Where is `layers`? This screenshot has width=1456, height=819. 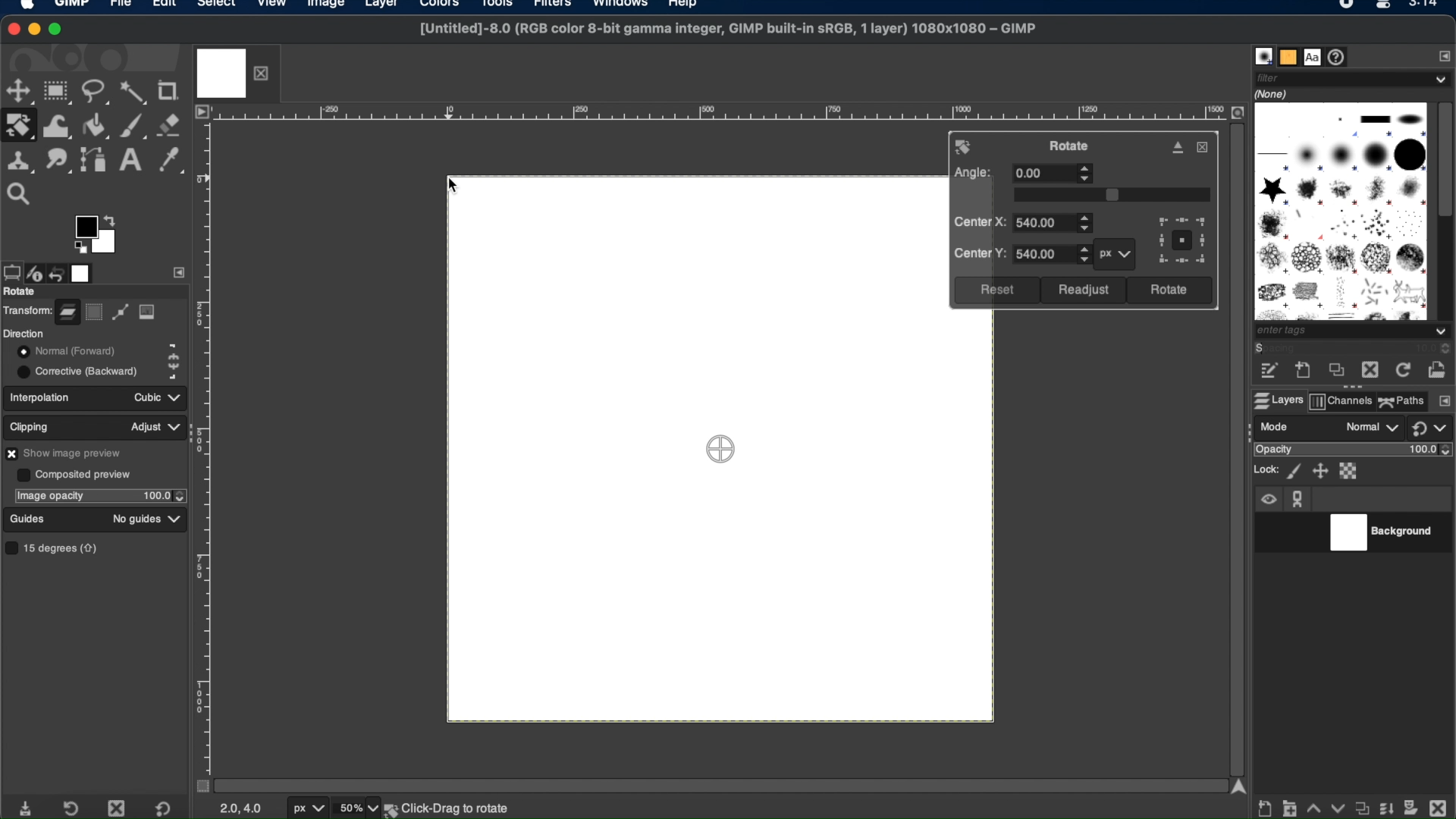 layers is located at coordinates (1276, 400).